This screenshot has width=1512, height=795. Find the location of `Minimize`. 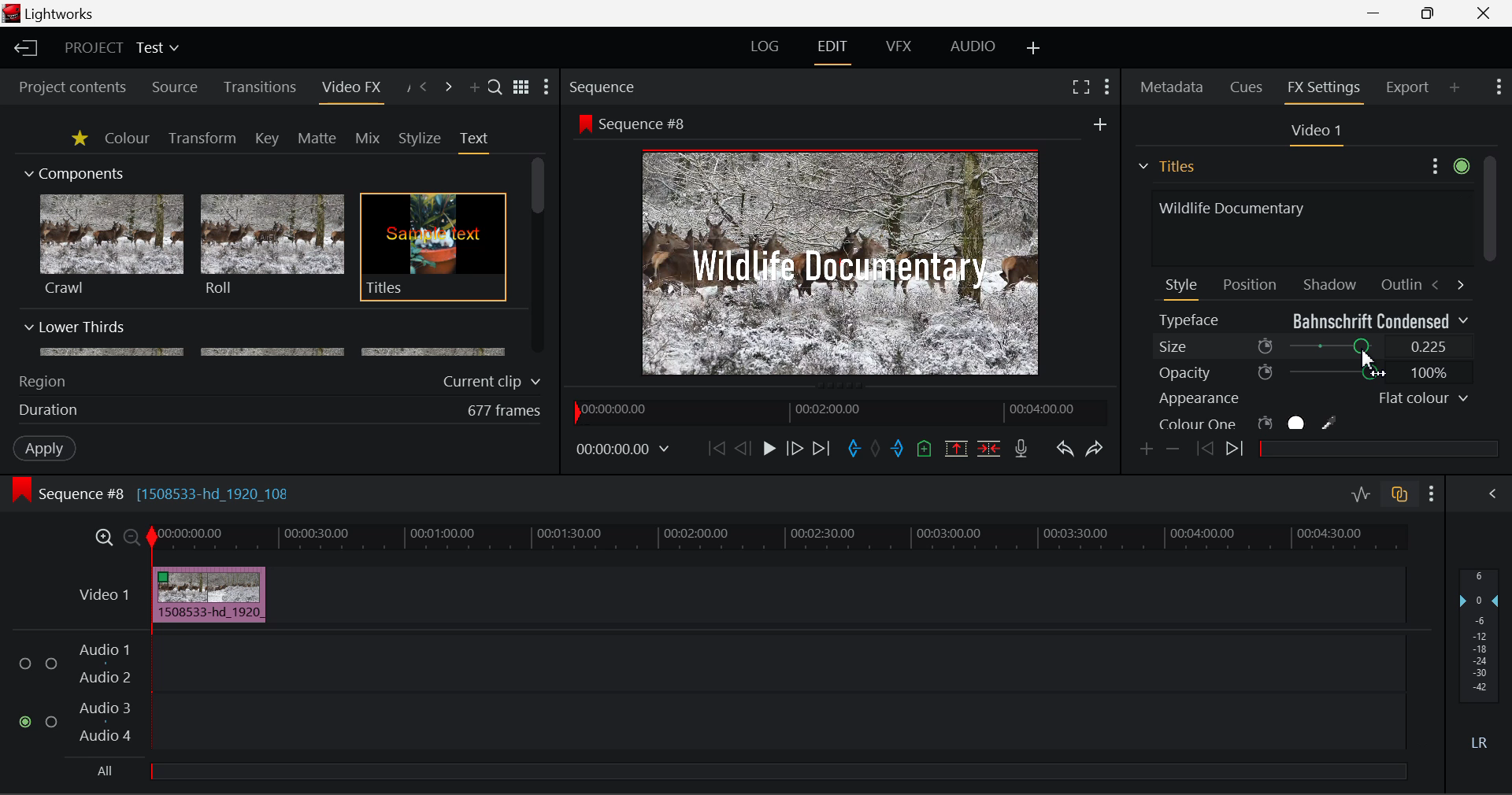

Minimize is located at coordinates (1432, 12).